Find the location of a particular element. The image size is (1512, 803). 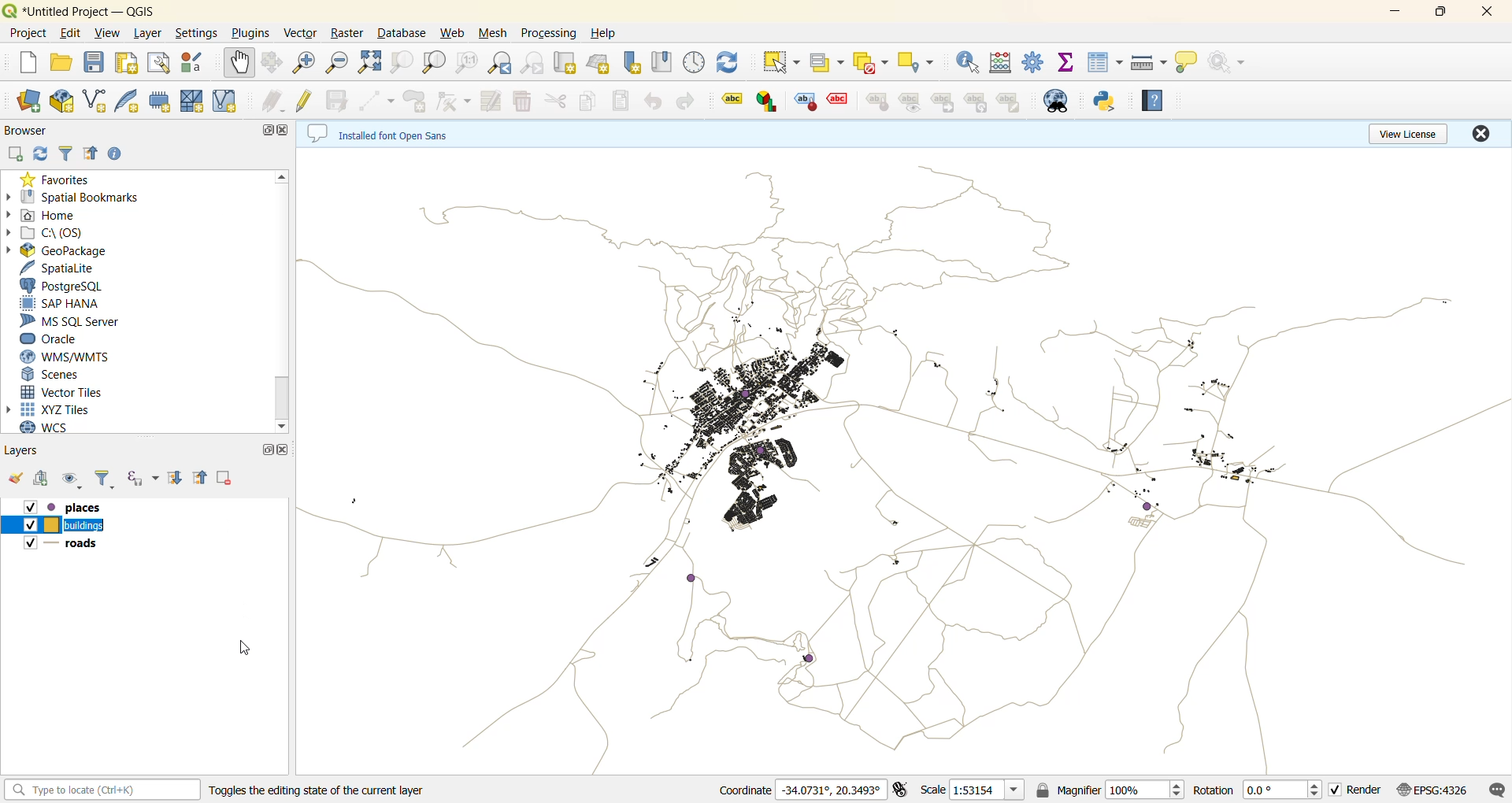

raster is located at coordinates (350, 32).